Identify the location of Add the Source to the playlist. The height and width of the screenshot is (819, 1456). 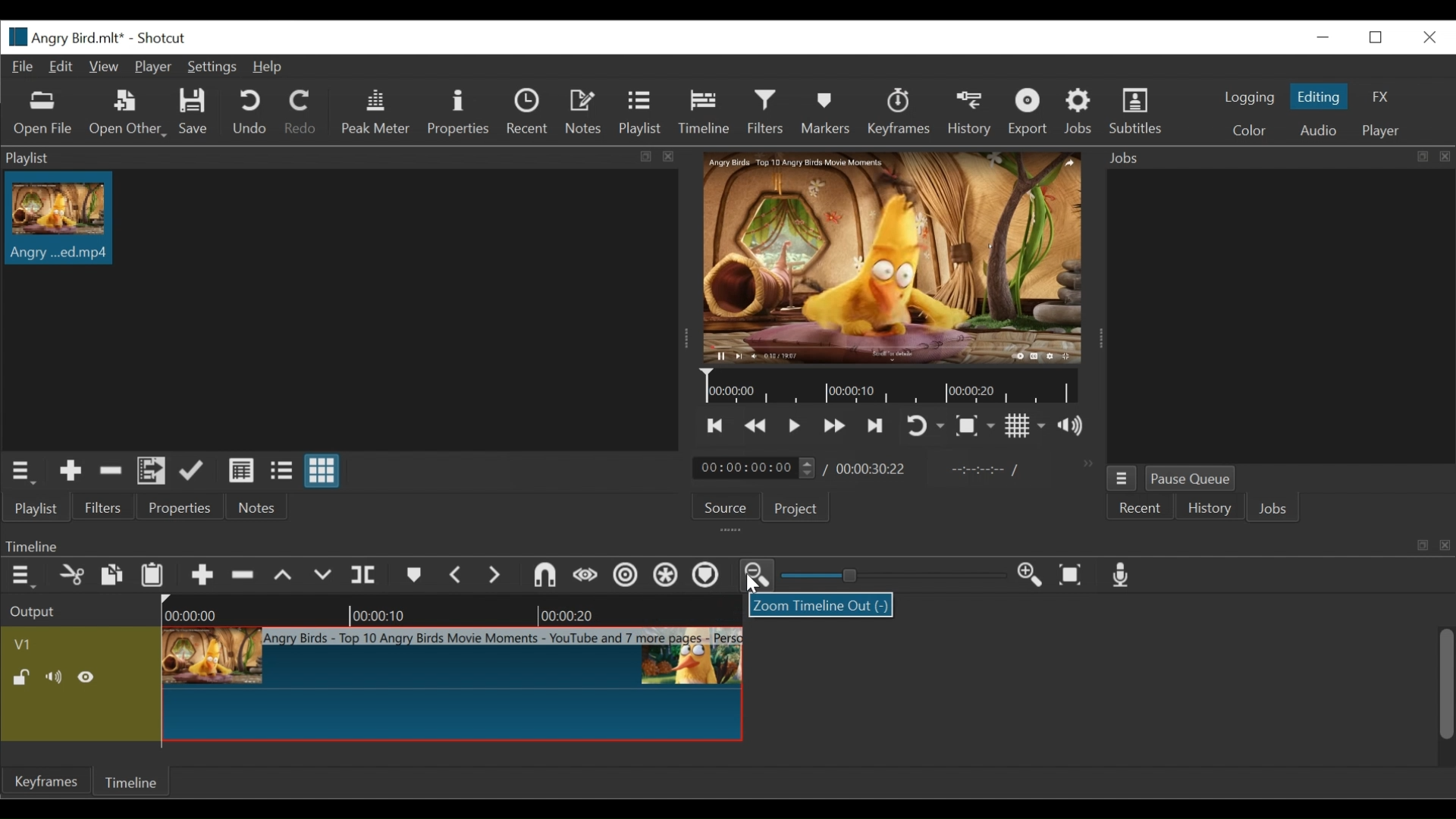
(69, 471).